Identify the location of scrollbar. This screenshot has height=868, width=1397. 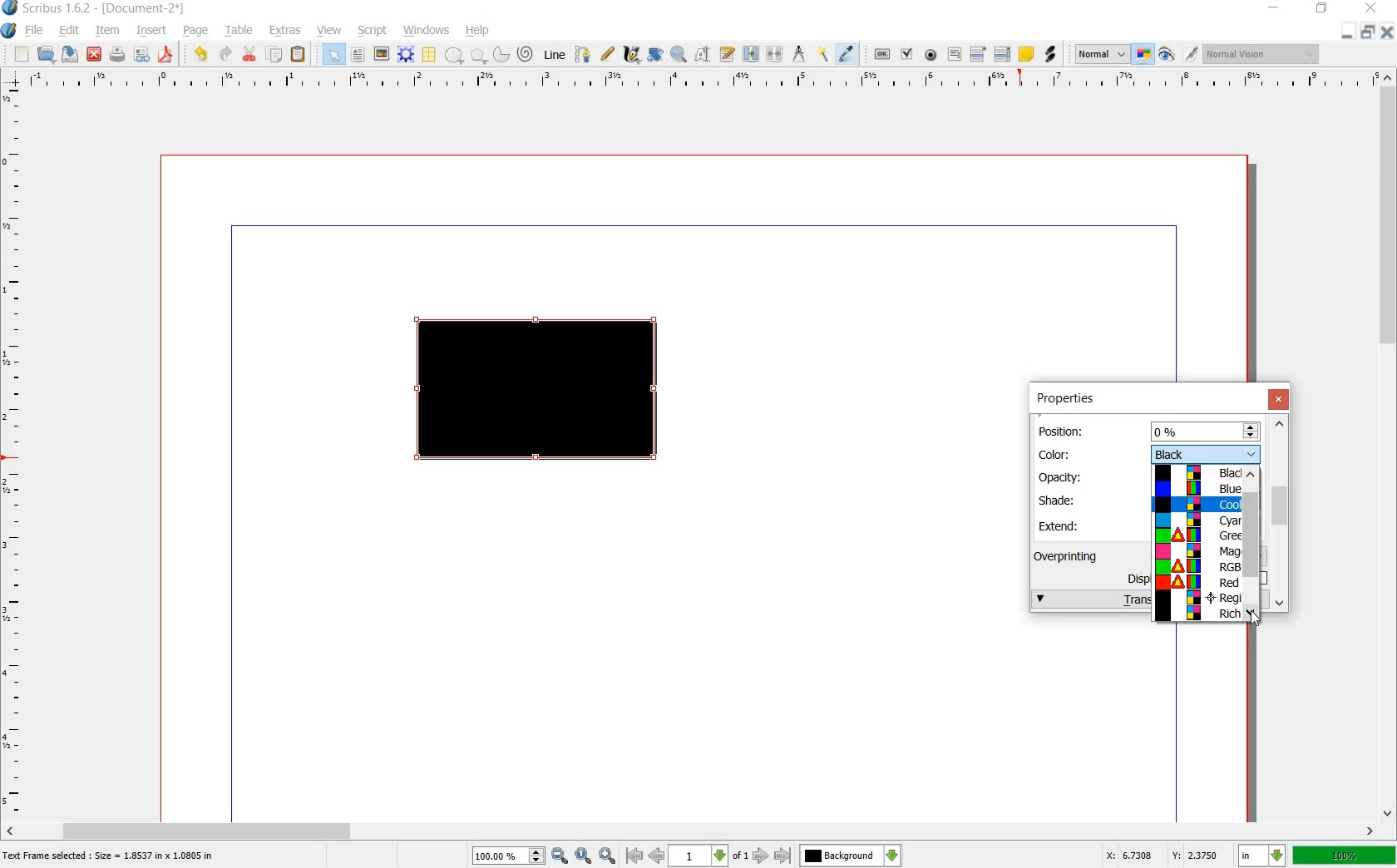
(1254, 548).